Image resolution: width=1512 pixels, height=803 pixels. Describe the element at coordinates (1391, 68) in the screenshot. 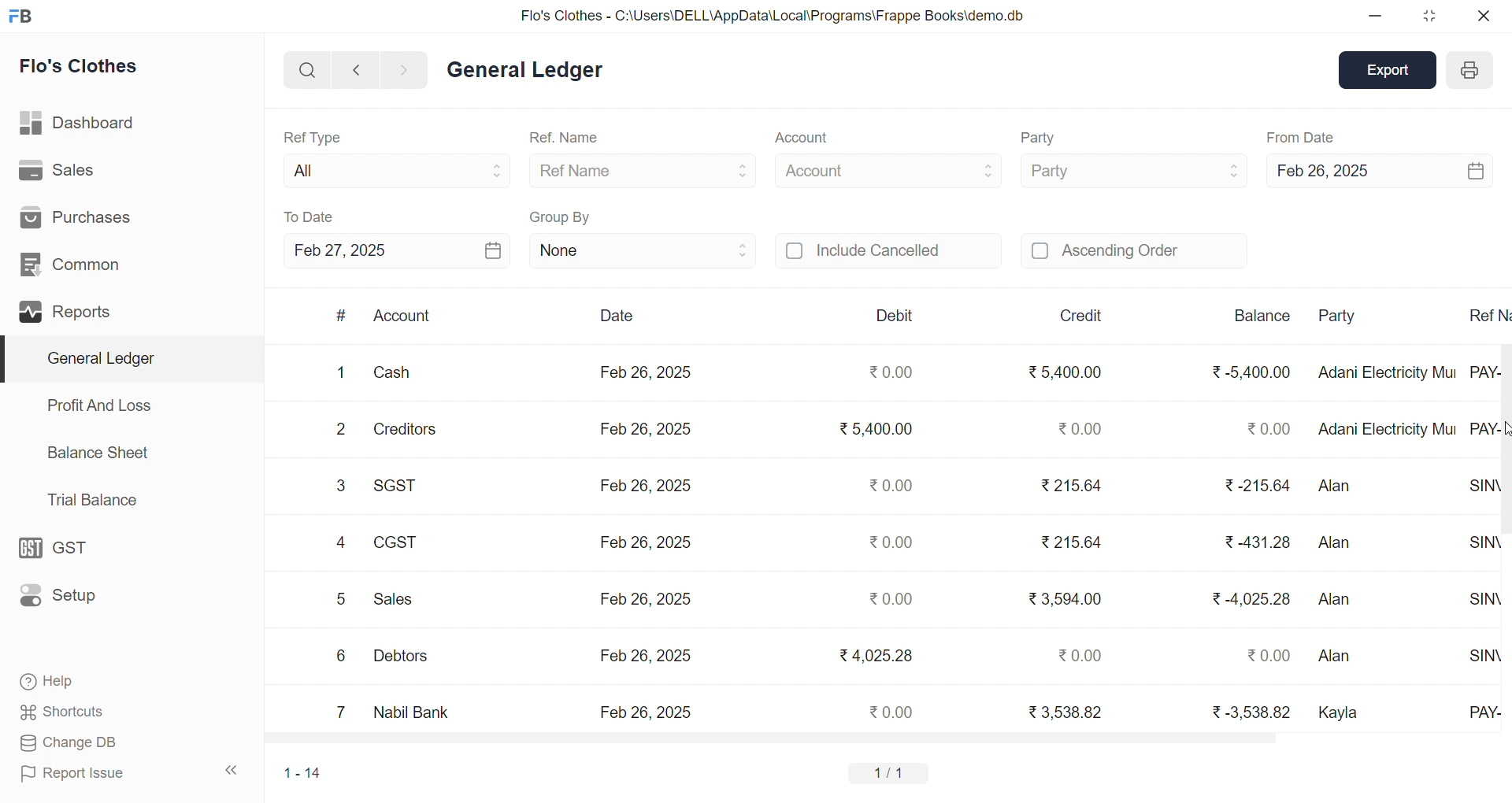

I see `Export` at that location.